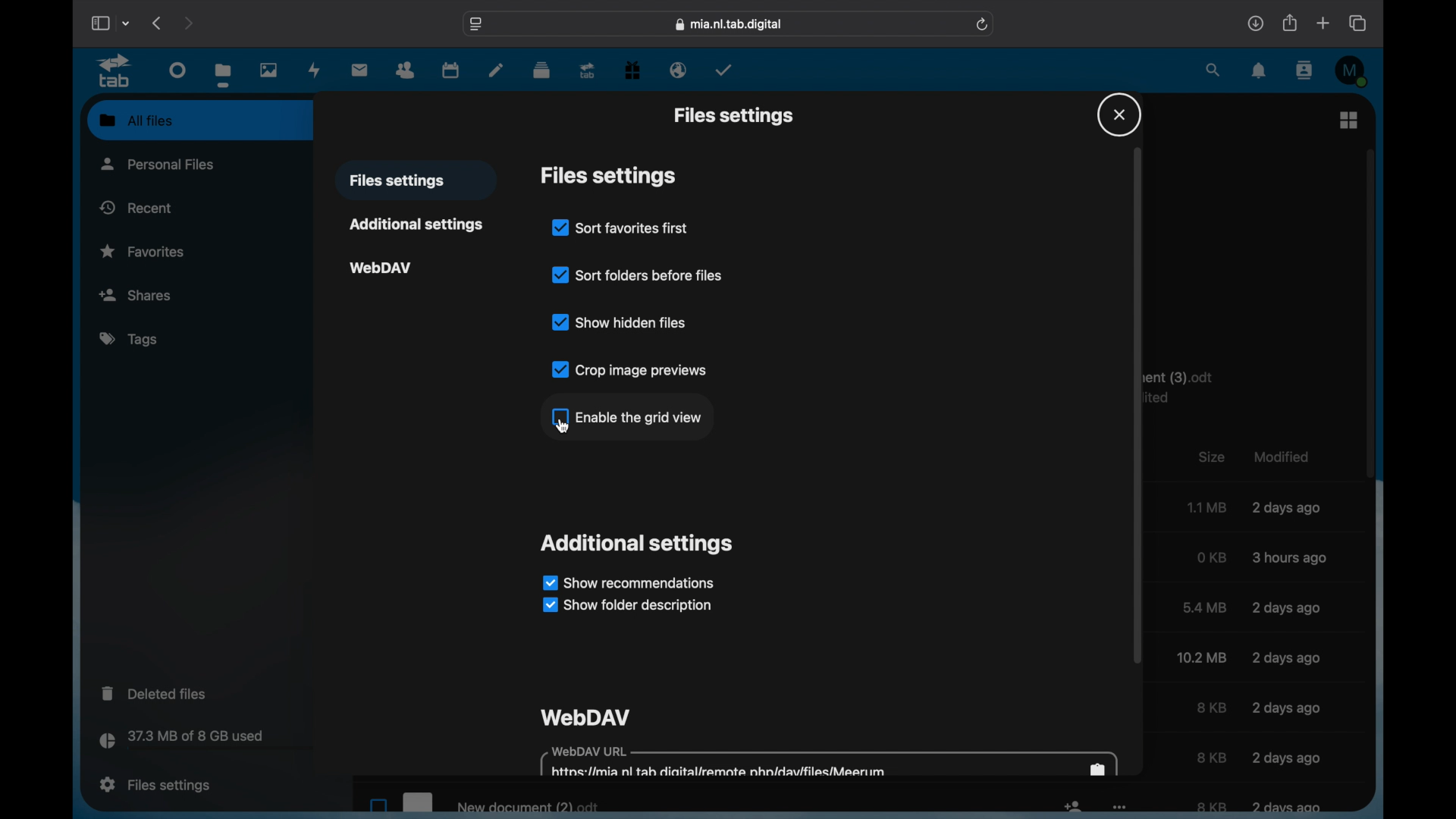  Describe the element at coordinates (1279, 455) in the screenshot. I see `modified` at that location.